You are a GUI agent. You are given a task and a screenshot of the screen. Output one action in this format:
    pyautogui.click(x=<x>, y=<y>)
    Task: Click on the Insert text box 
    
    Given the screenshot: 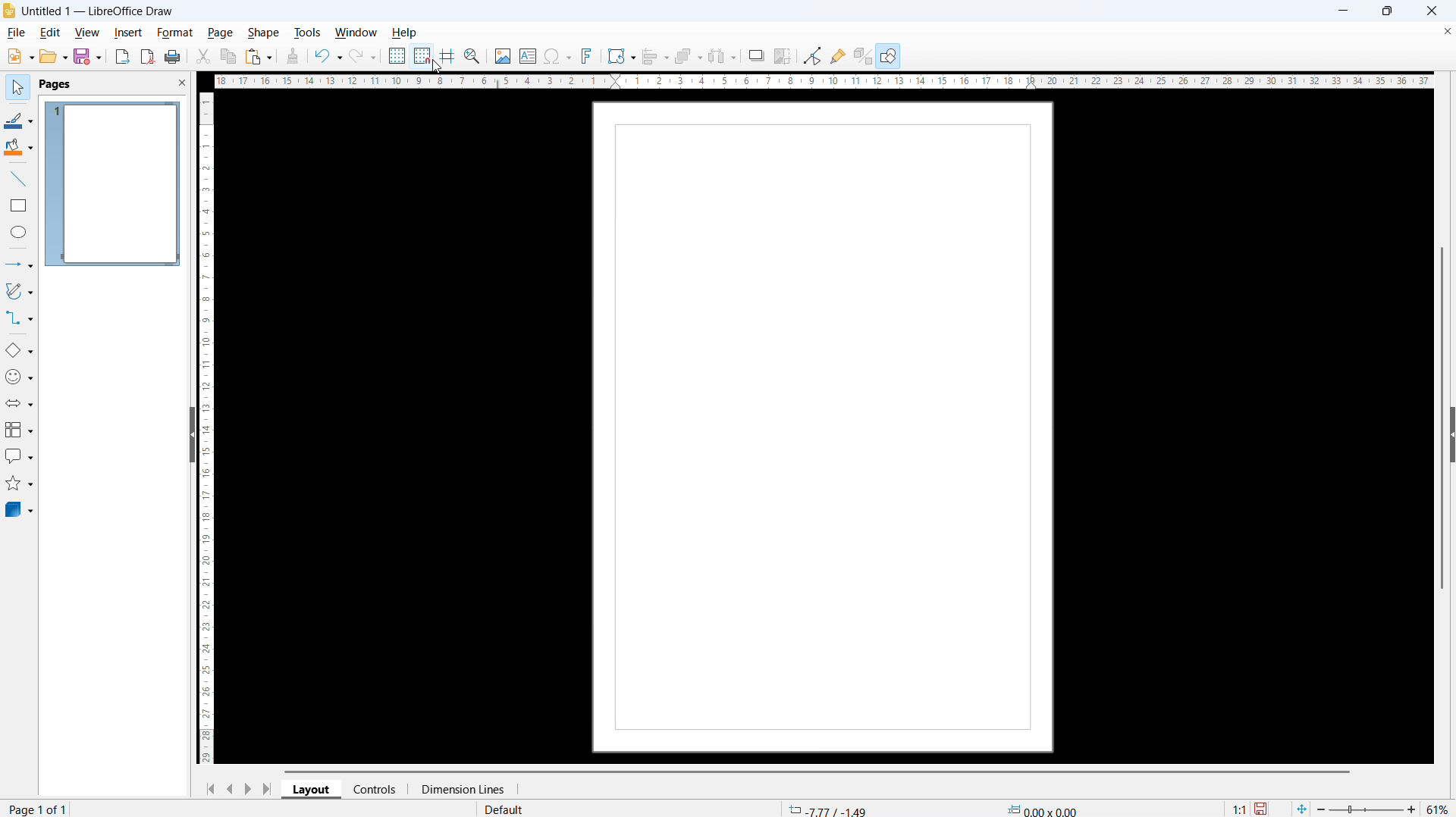 What is the action you would take?
    pyautogui.click(x=527, y=55)
    